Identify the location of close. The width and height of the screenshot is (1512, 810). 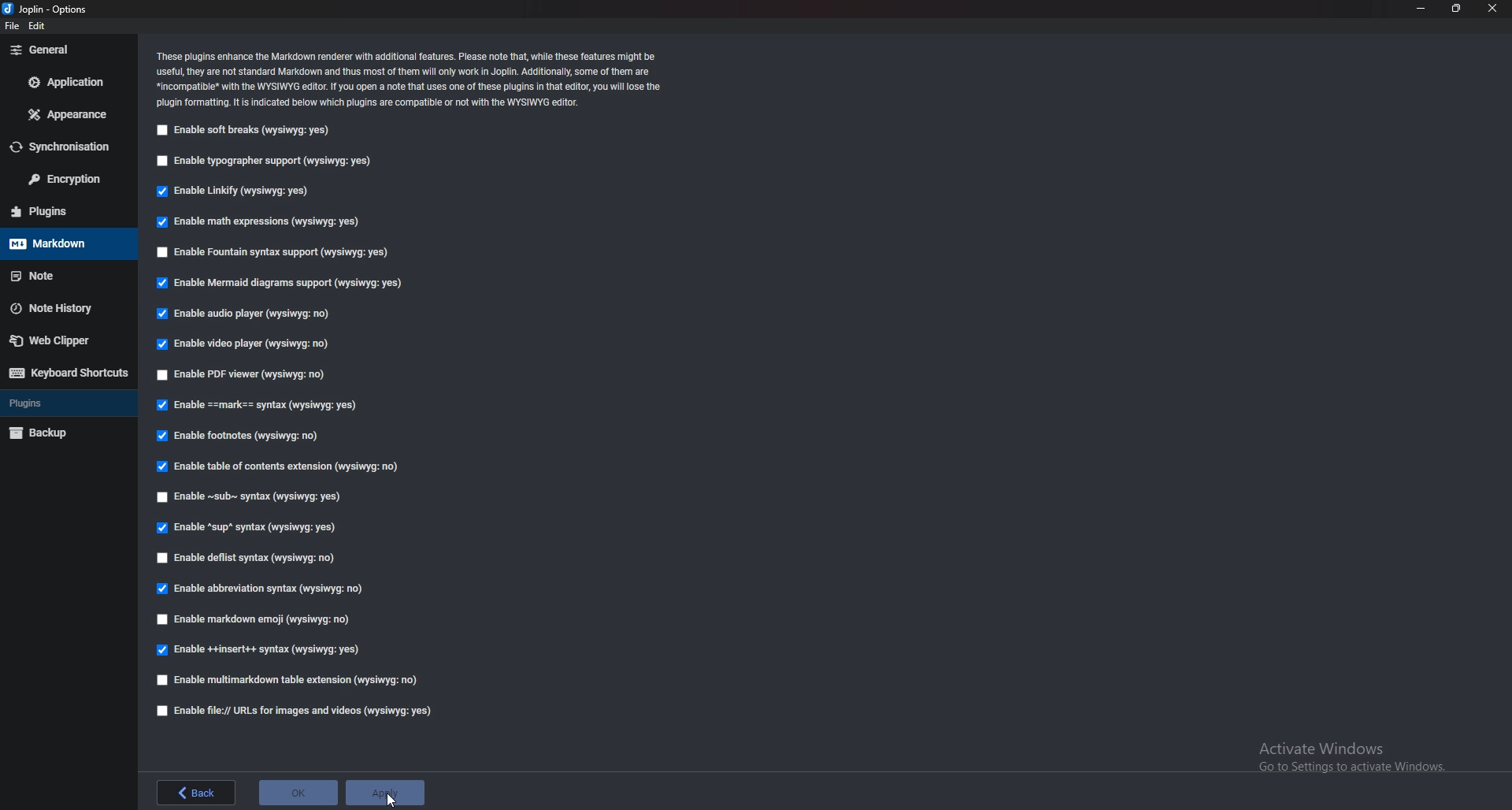
(1492, 9).